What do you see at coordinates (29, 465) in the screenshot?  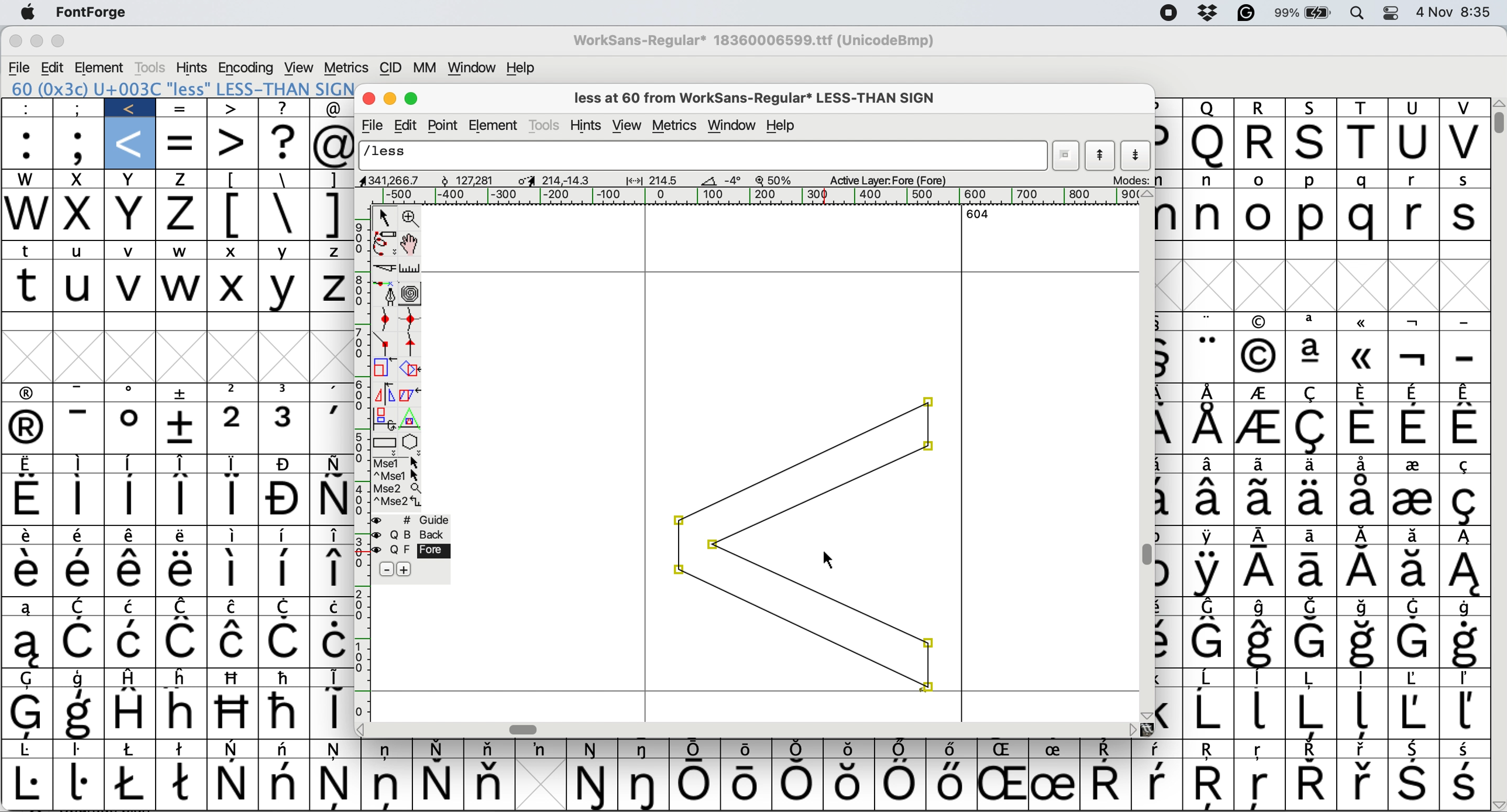 I see `Symbol` at bounding box center [29, 465].